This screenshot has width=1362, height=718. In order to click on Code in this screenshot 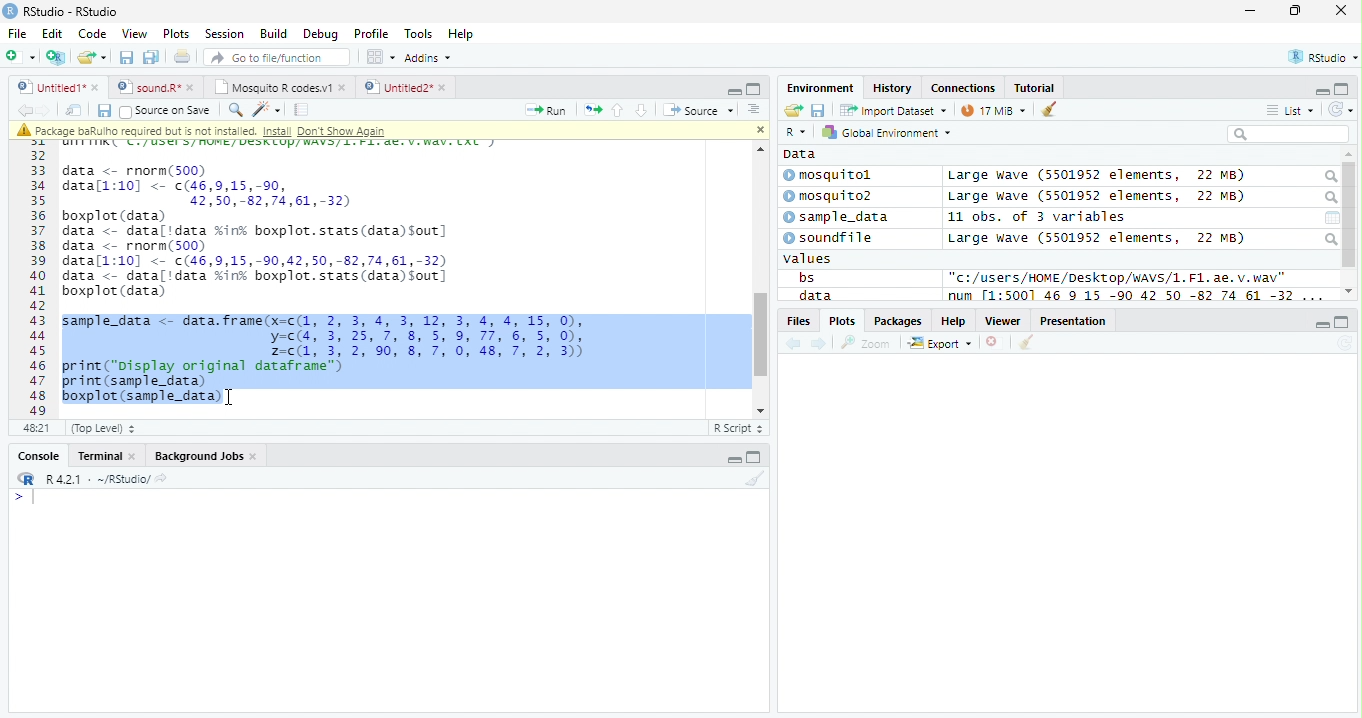, I will do `click(92, 34)`.